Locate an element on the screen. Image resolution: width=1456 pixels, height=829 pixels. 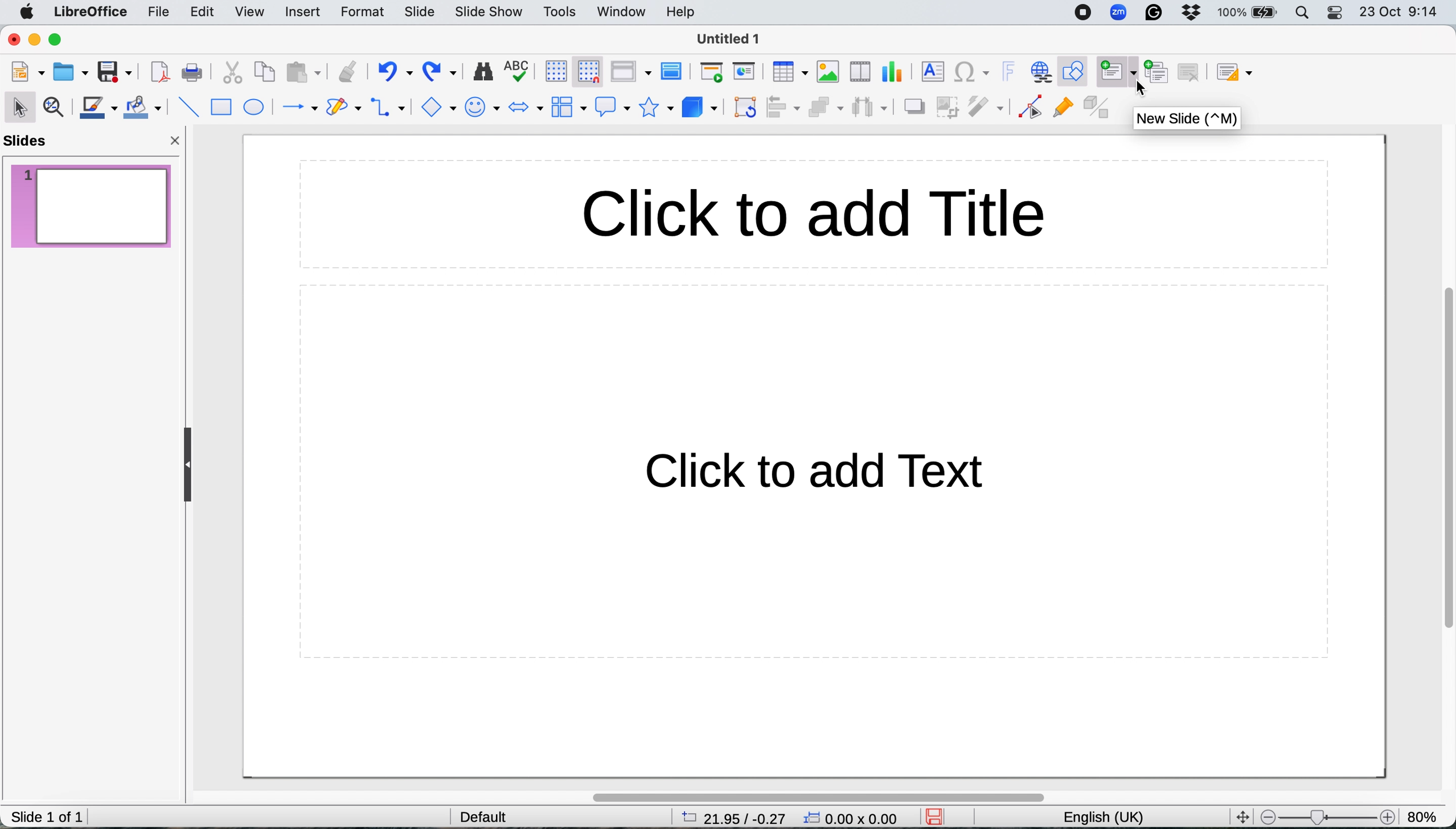
text color is located at coordinates (99, 108).